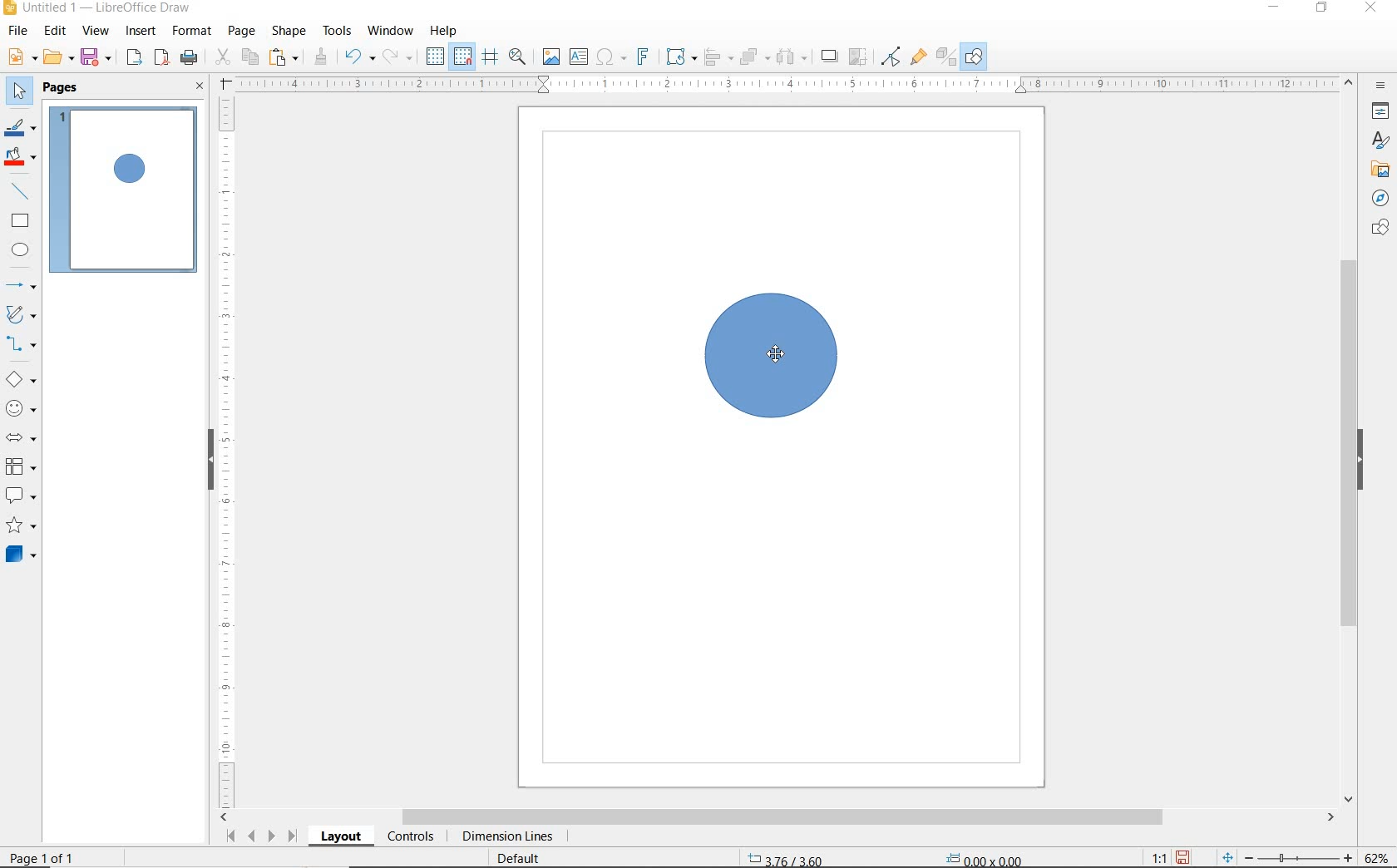  I want to click on MINIMIZE, so click(1272, 8).